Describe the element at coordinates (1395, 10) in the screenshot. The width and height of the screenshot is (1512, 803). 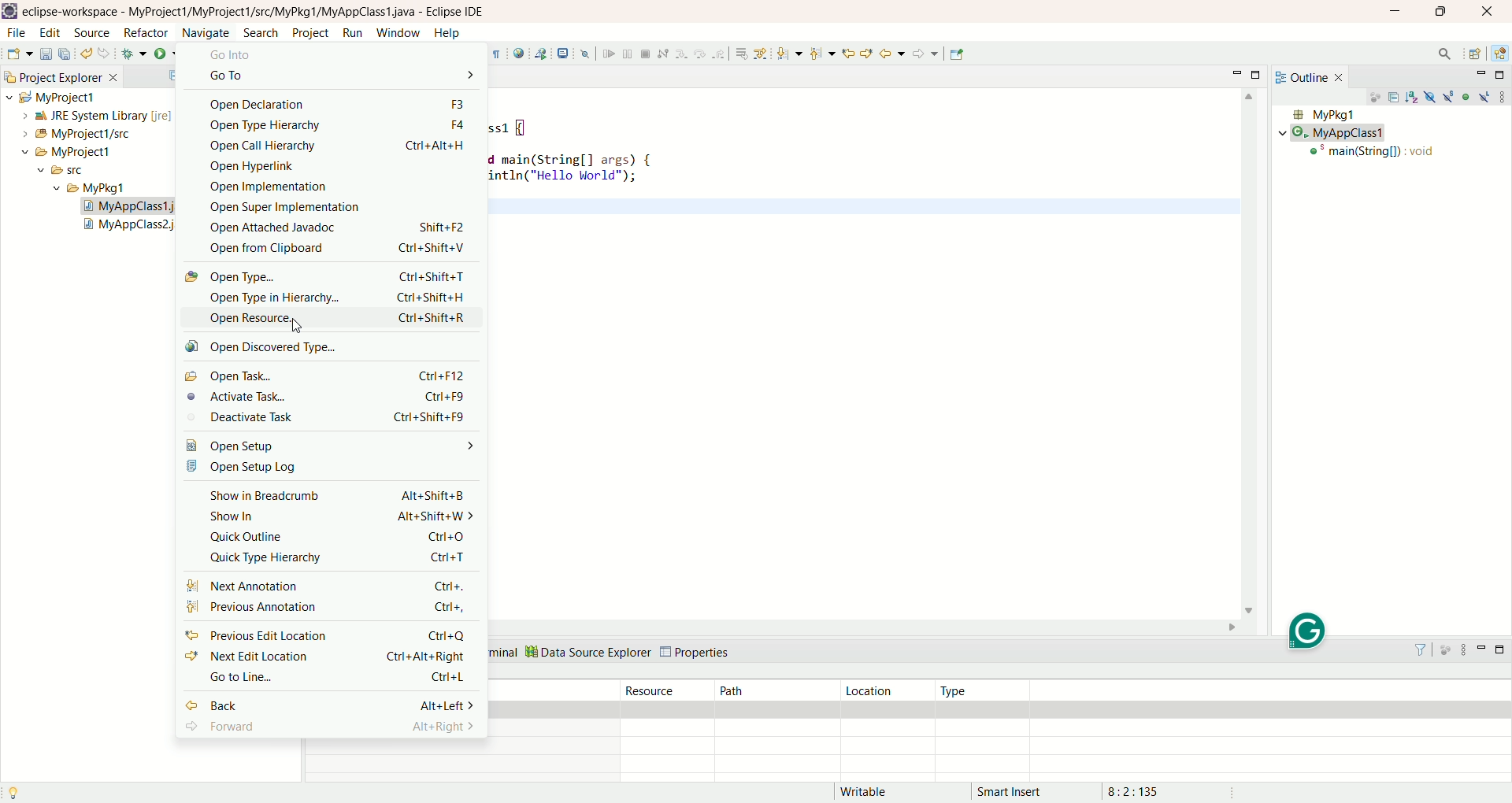
I see `minimize` at that location.